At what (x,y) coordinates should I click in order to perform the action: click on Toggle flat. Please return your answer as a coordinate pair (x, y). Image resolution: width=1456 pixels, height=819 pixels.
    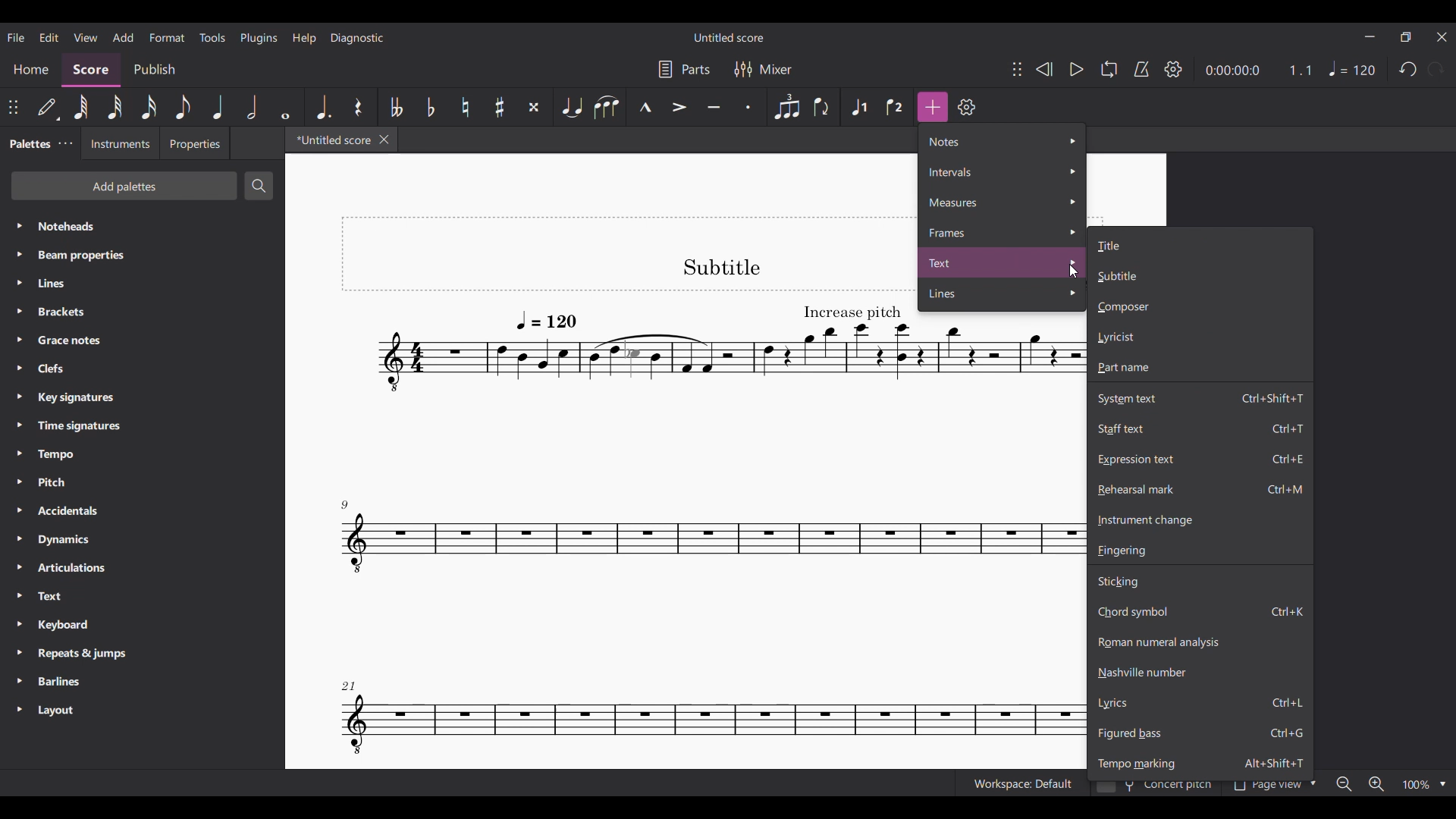
    Looking at the image, I should click on (431, 107).